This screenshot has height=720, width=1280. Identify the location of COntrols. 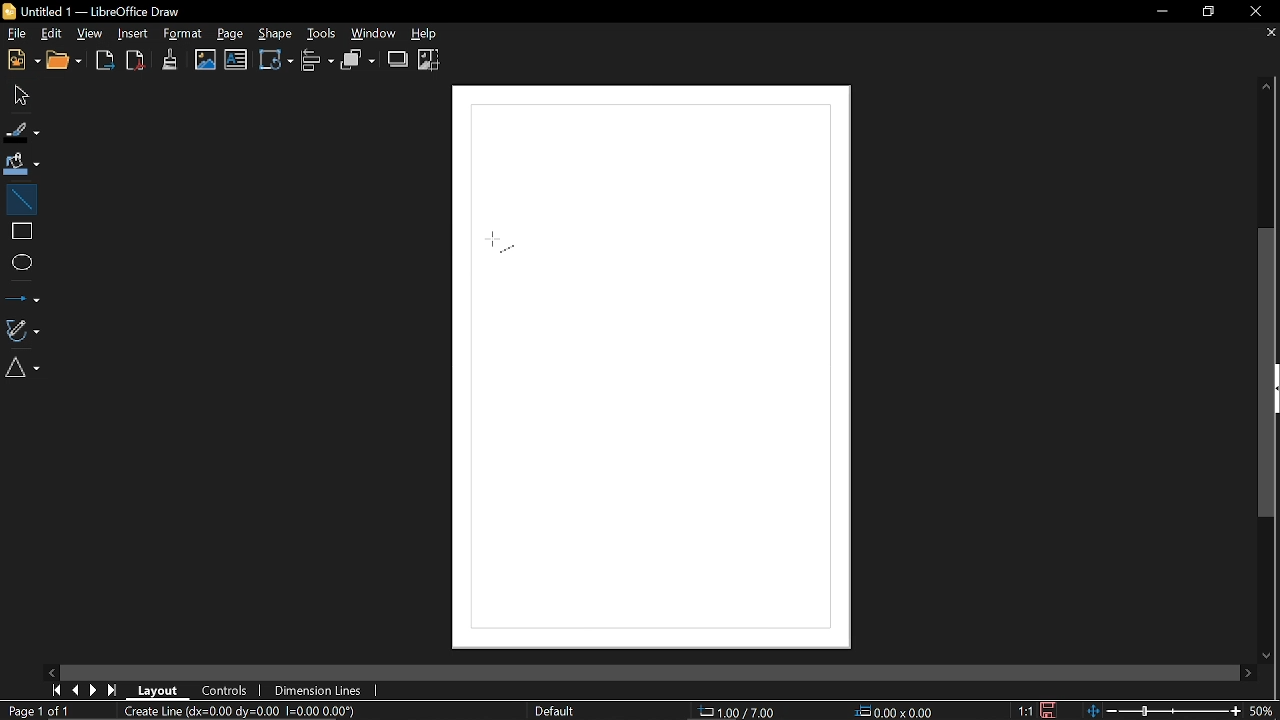
(226, 689).